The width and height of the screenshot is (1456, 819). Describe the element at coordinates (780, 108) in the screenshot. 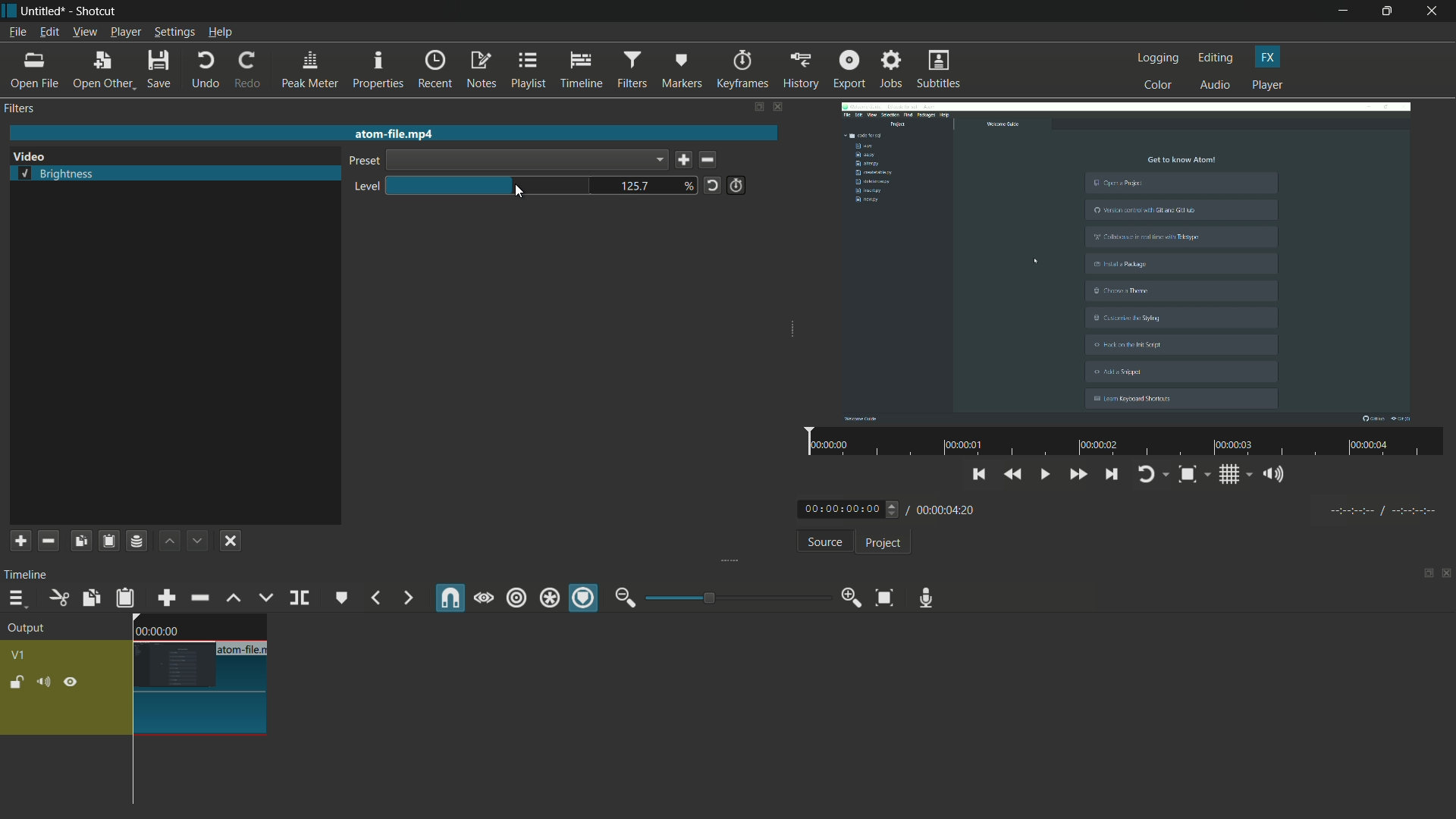

I see `close filter pane` at that location.